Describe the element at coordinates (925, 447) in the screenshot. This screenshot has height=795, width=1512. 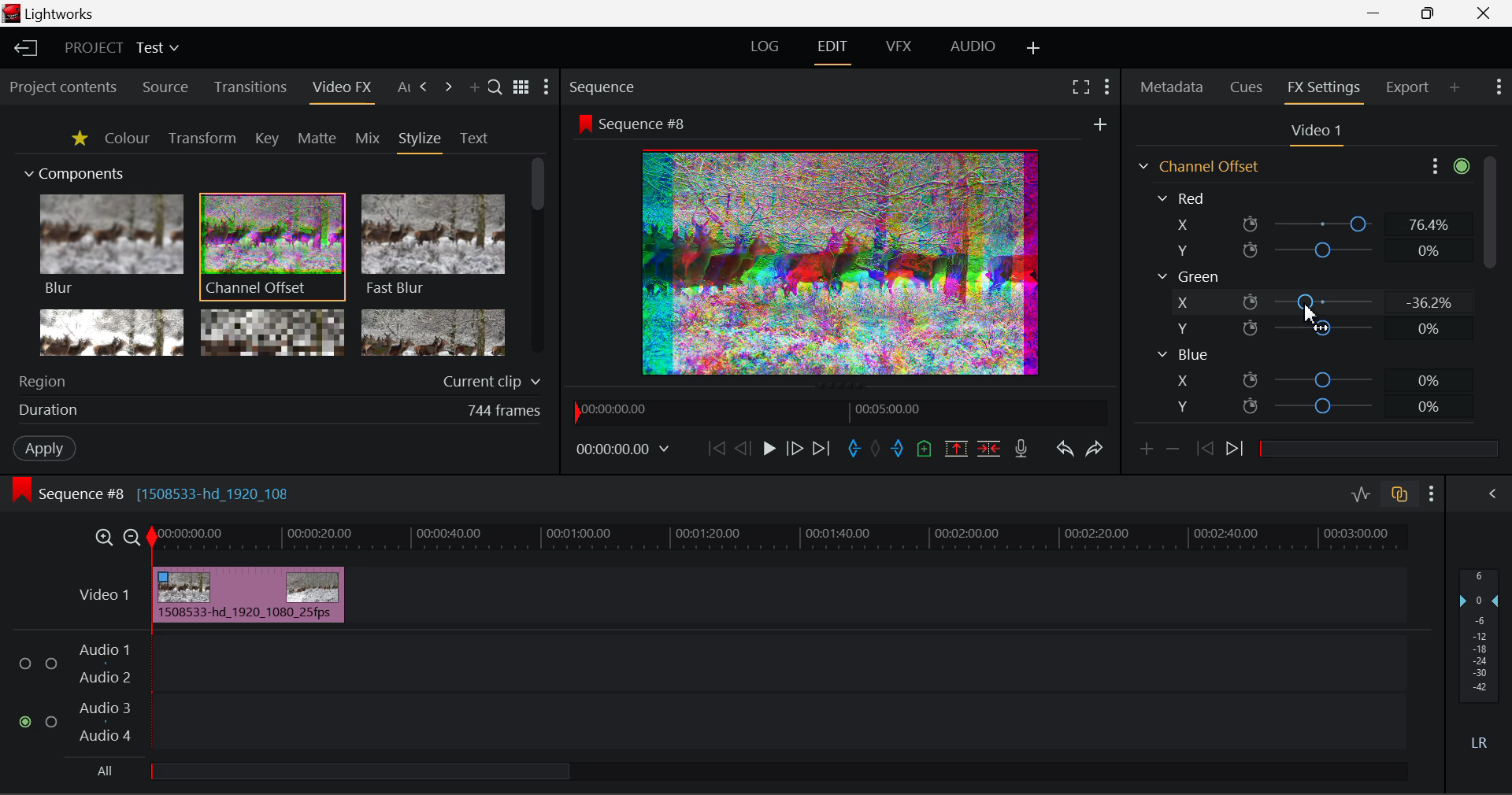
I see `Mark Cue` at that location.